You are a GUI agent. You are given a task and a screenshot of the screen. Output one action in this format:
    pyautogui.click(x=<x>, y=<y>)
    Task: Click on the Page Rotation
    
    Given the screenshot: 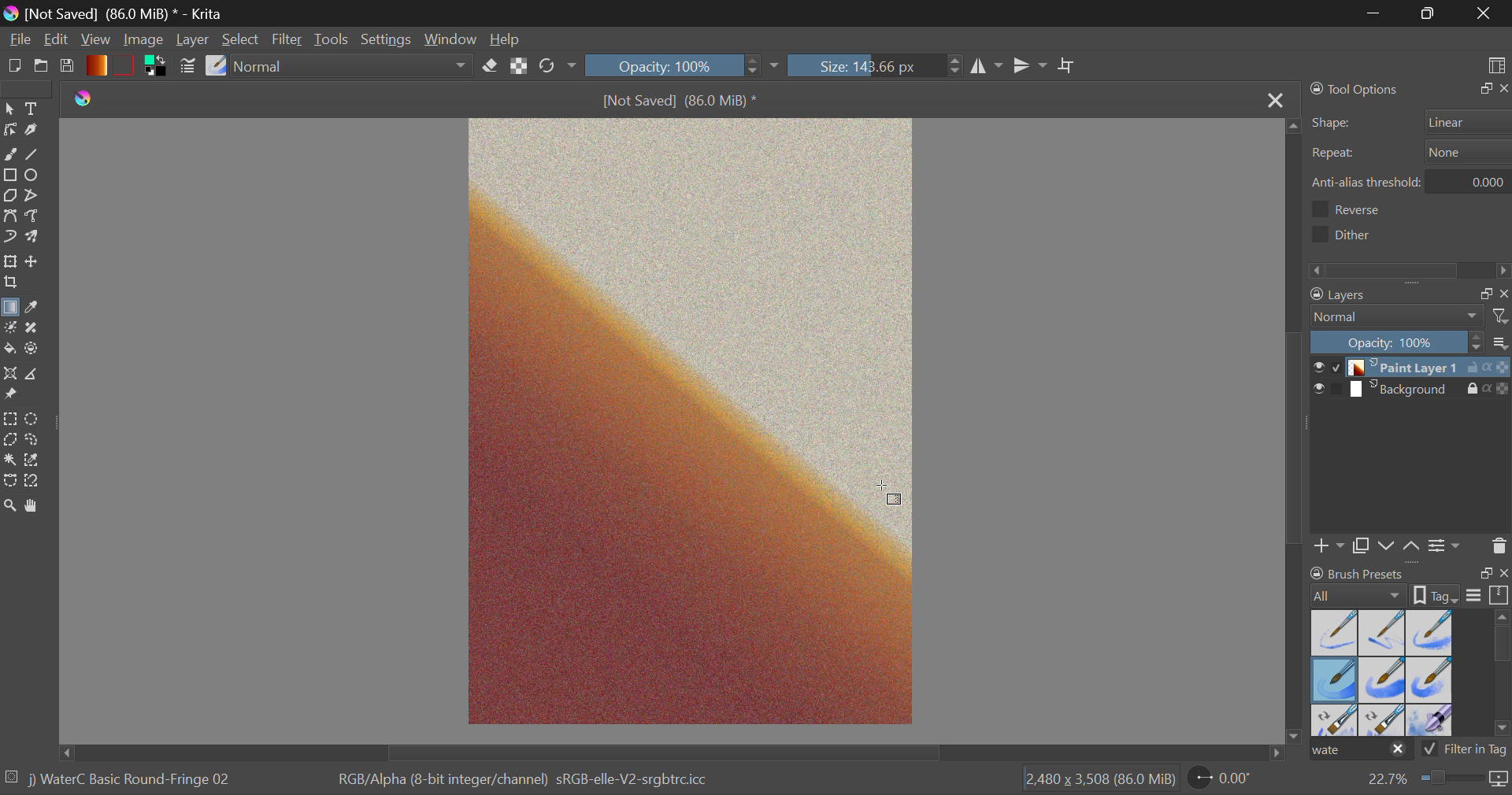 What is the action you would take?
    pyautogui.click(x=1228, y=780)
    